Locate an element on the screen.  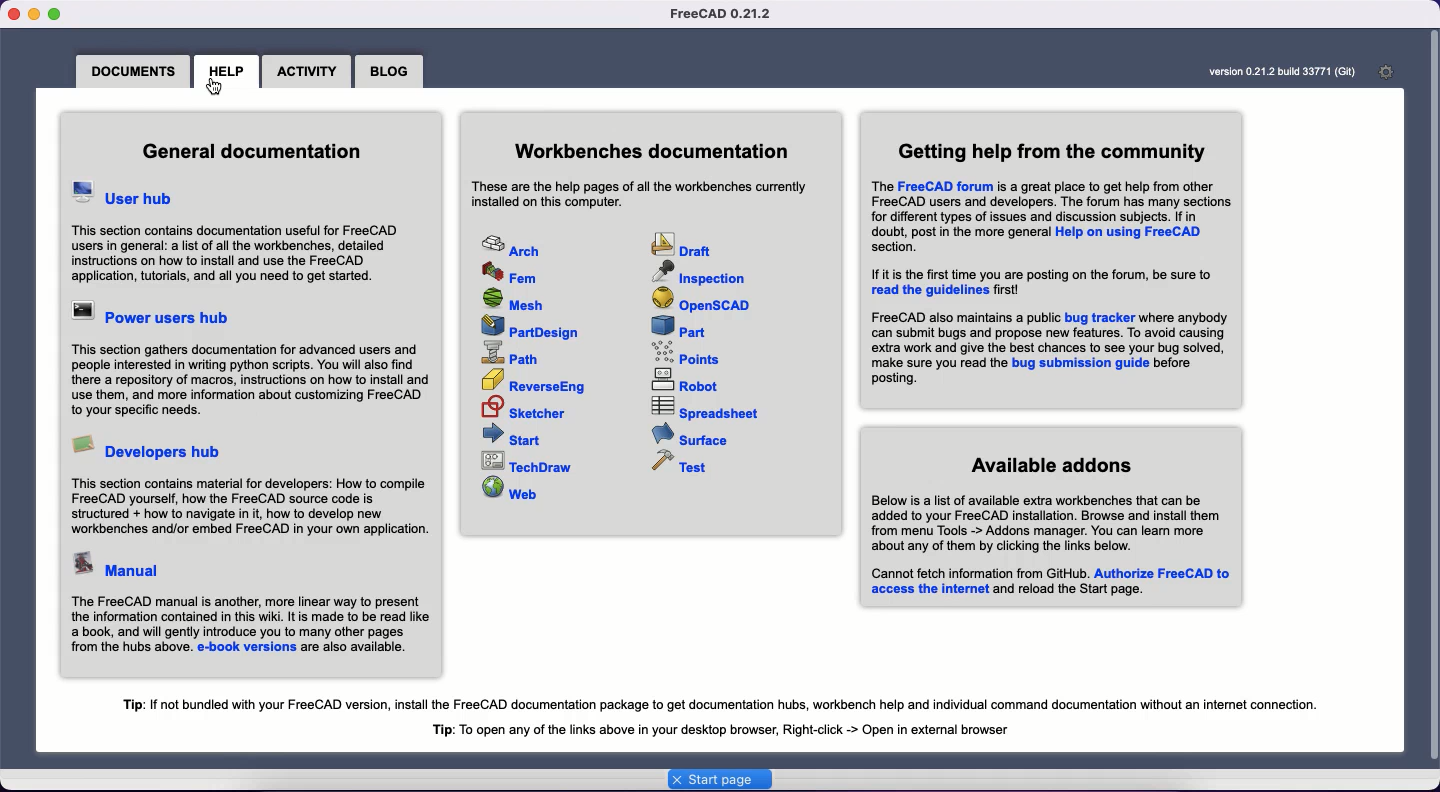
Start page is located at coordinates (719, 780).